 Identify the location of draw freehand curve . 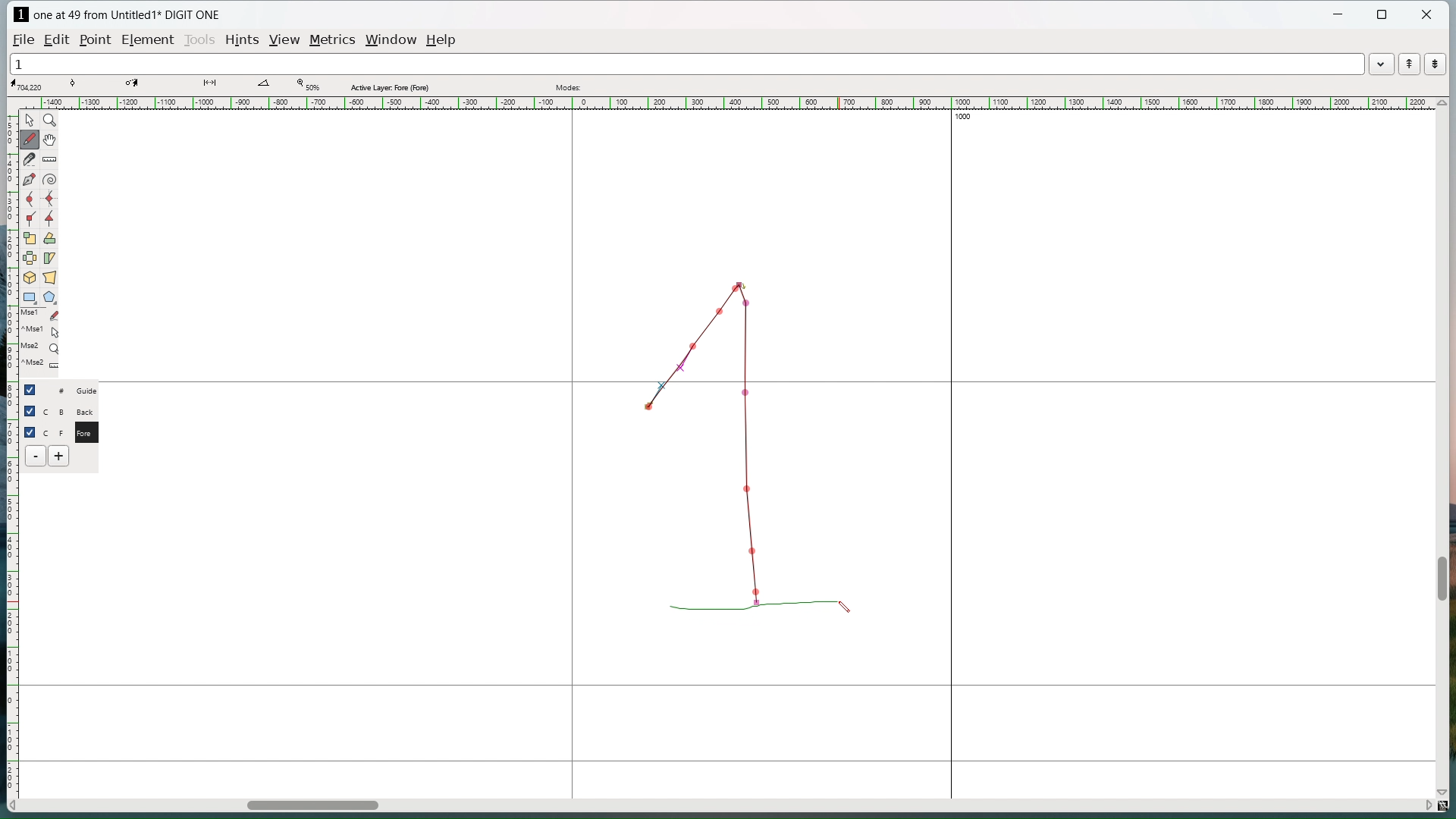
(31, 139).